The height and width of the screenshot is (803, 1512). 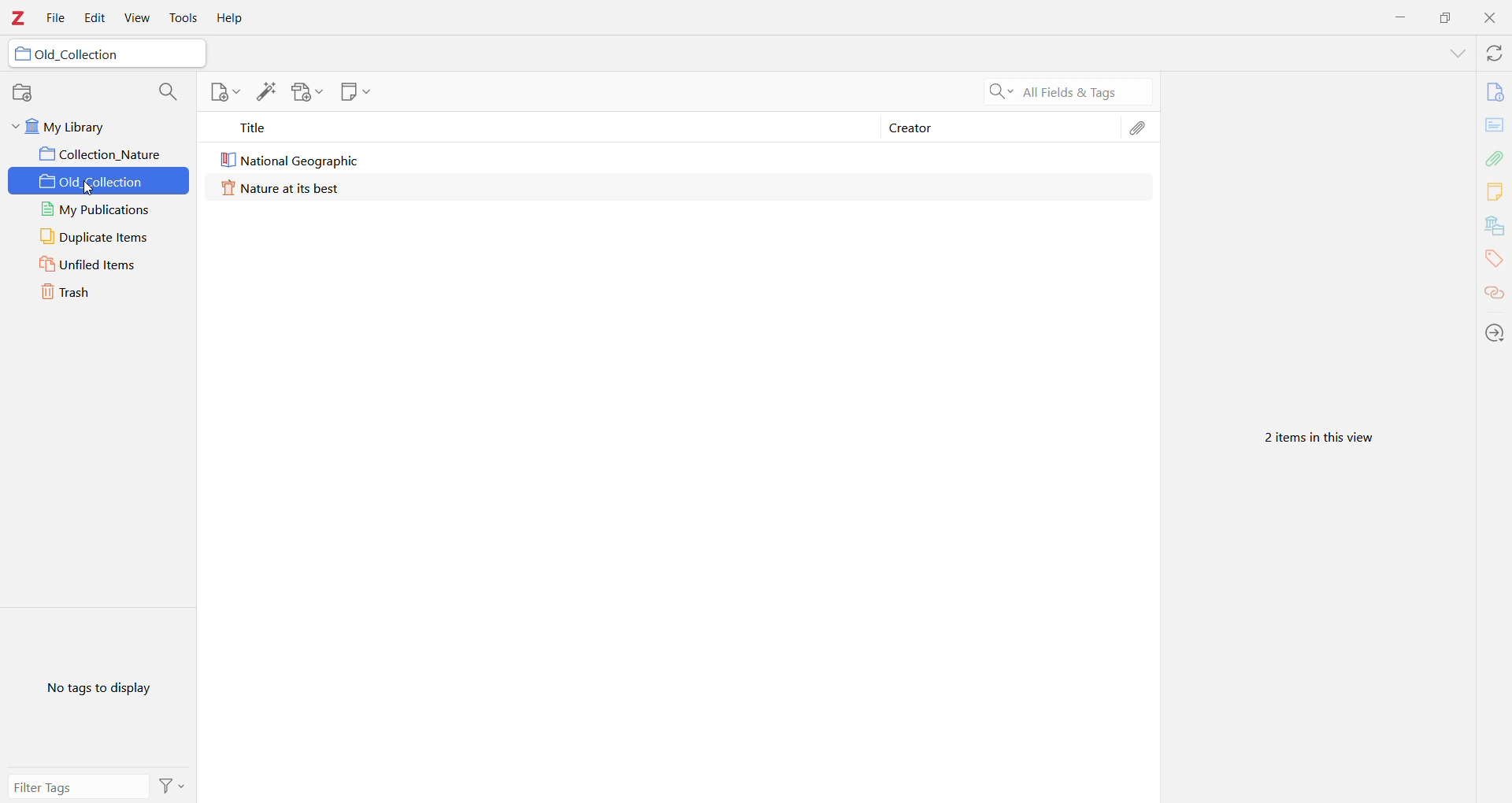 What do you see at coordinates (95, 17) in the screenshot?
I see `Edit` at bounding box center [95, 17].